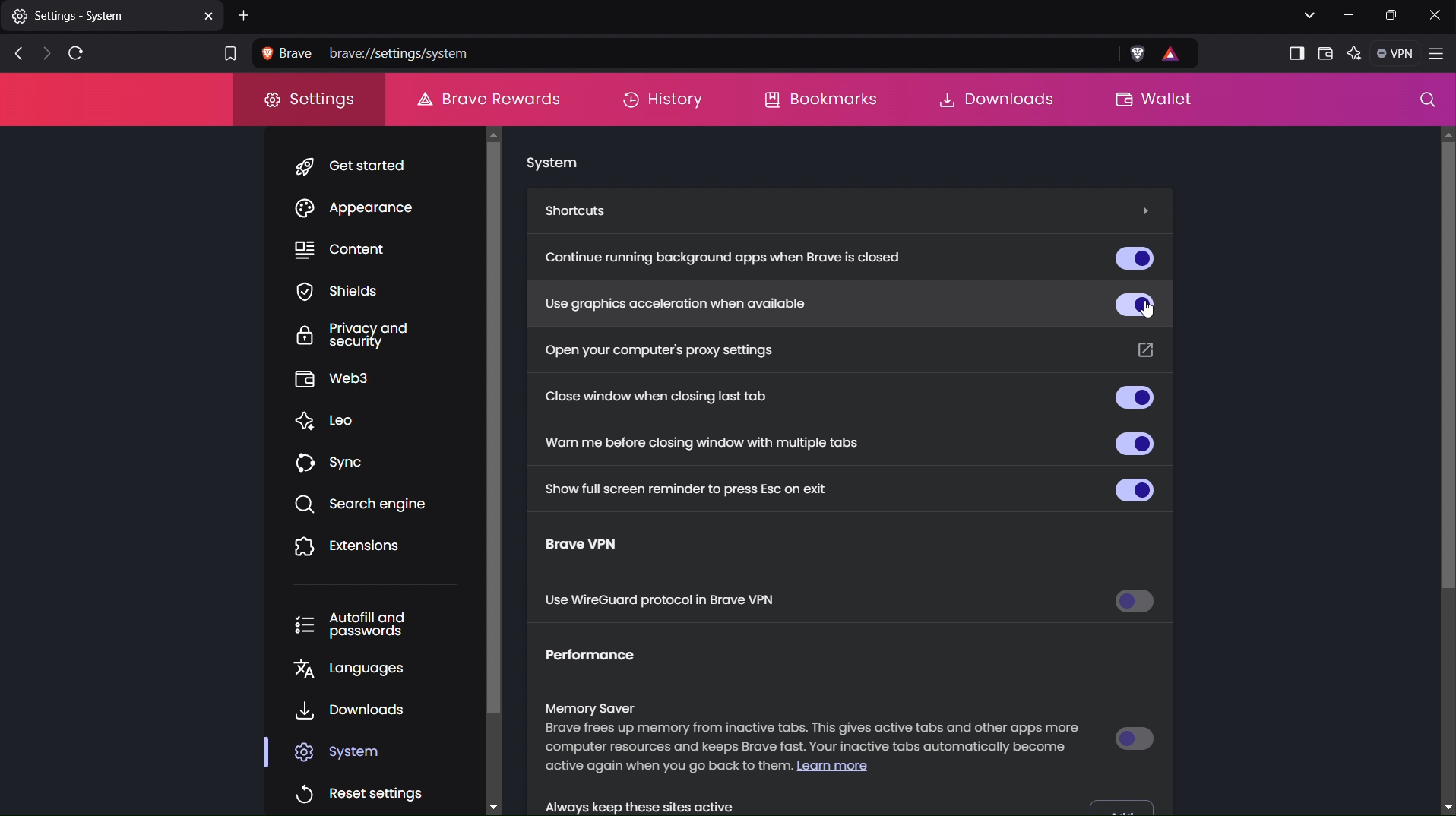 The image size is (1456, 816). What do you see at coordinates (1438, 15) in the screenshot?
I see `Close` at bounding box center [1438, 15].